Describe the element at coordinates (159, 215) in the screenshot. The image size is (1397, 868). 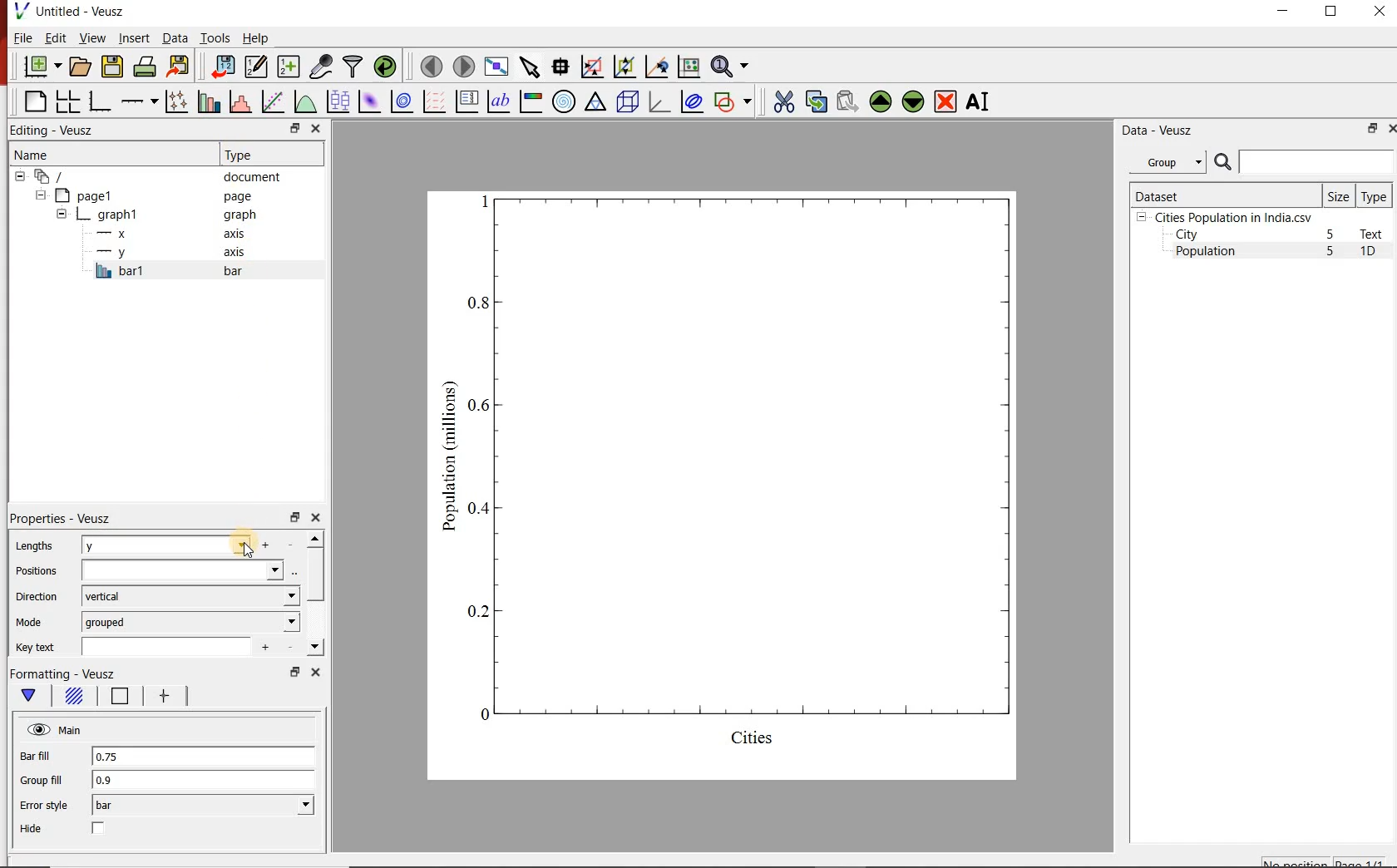
I see `graph1` at that location.